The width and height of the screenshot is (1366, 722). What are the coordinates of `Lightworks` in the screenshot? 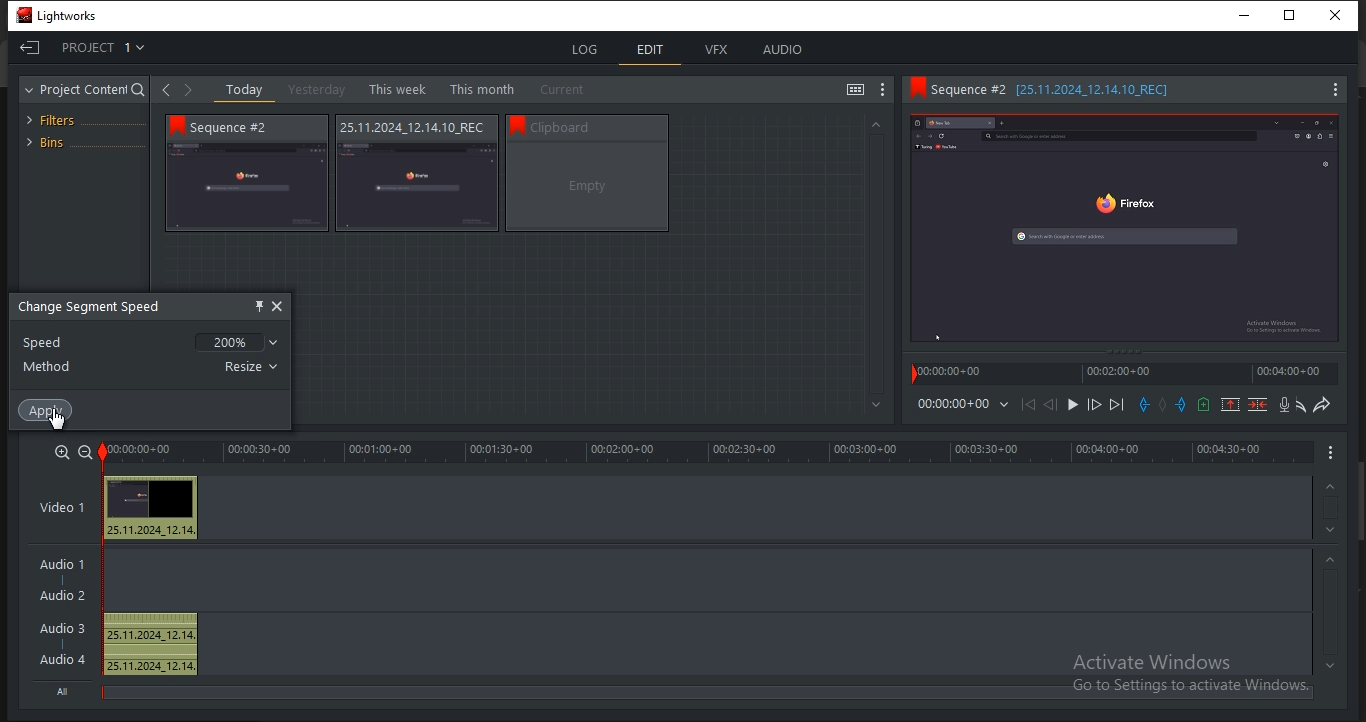 It's located at (62, 15).